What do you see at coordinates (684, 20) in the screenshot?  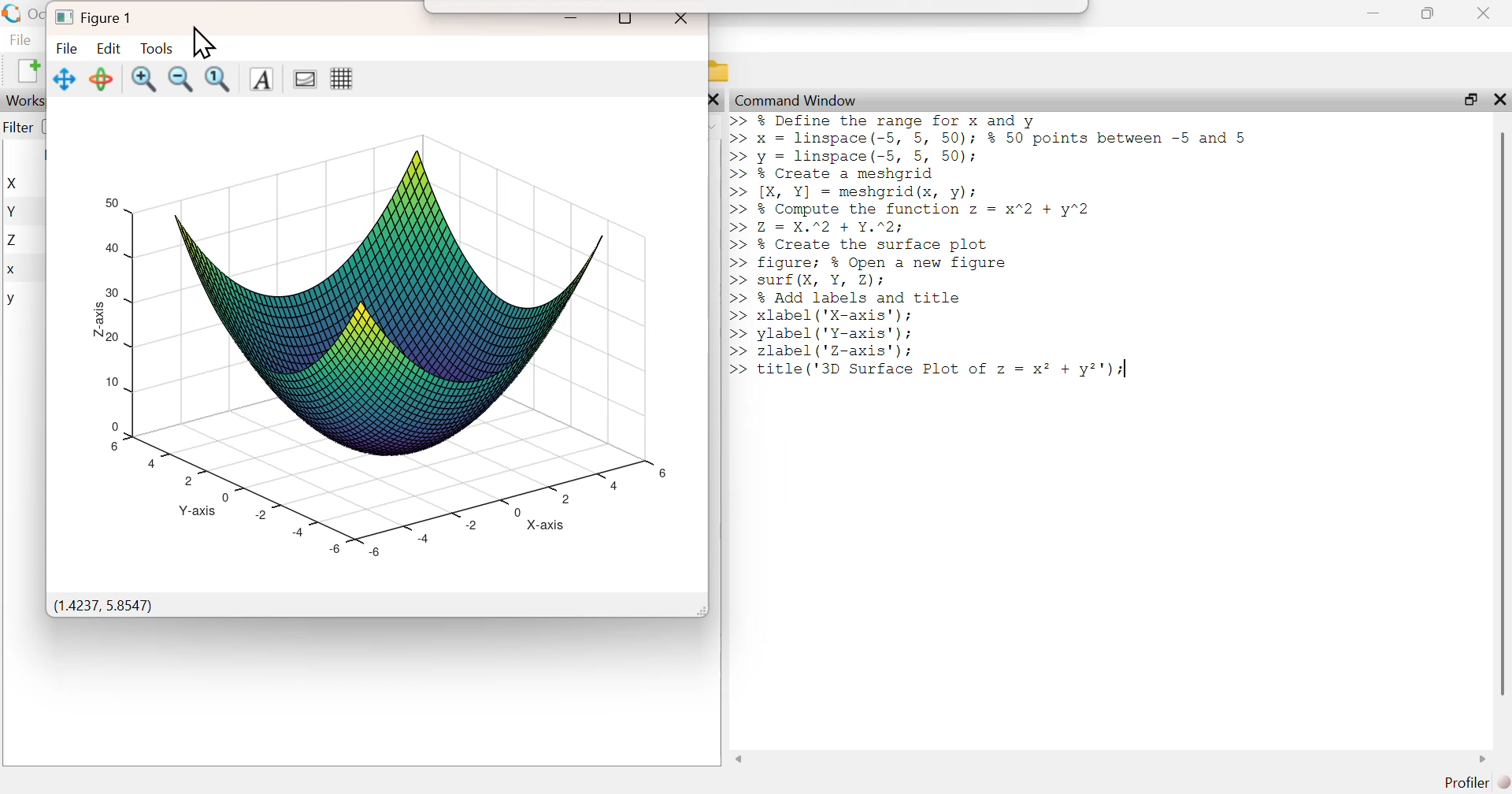 I see `close` at bounding box center [684, 20].